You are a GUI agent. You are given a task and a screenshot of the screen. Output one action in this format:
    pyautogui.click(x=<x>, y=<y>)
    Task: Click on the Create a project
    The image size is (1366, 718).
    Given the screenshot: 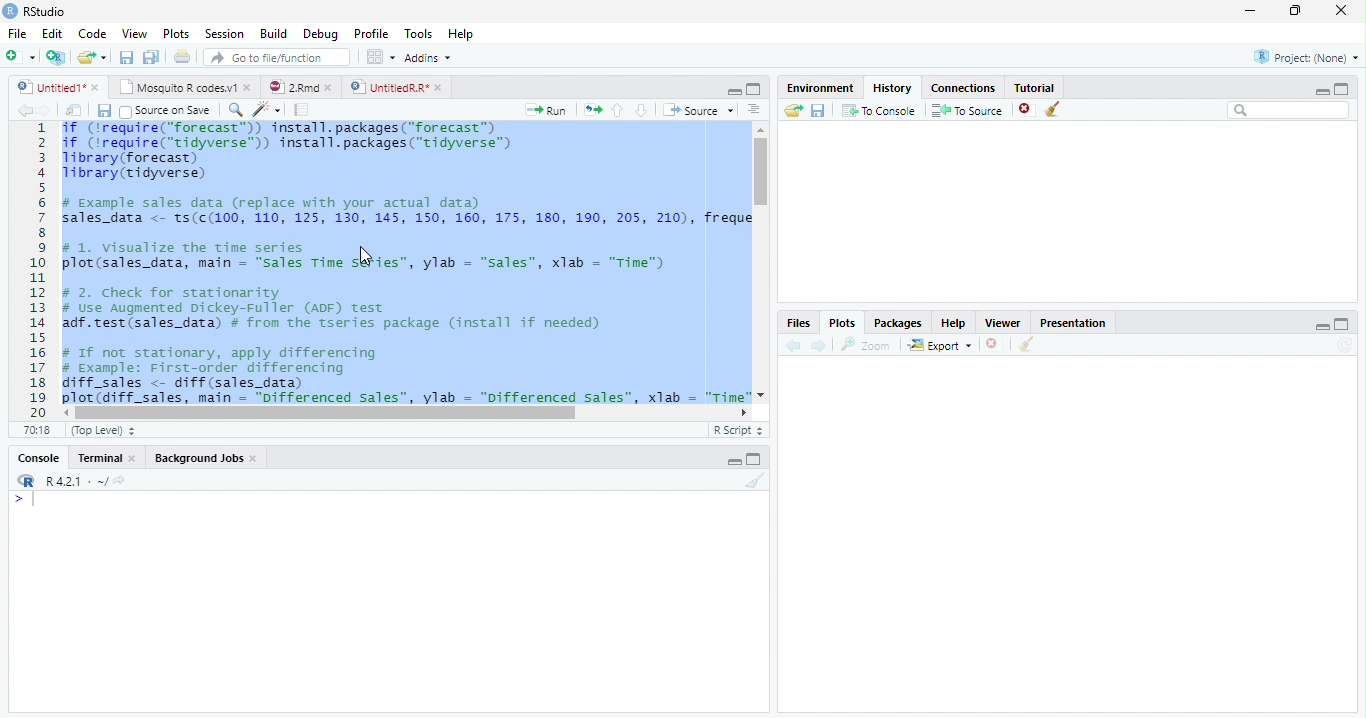 What is the action you would take?
    pyautogui.click(x=57, y=59)
    